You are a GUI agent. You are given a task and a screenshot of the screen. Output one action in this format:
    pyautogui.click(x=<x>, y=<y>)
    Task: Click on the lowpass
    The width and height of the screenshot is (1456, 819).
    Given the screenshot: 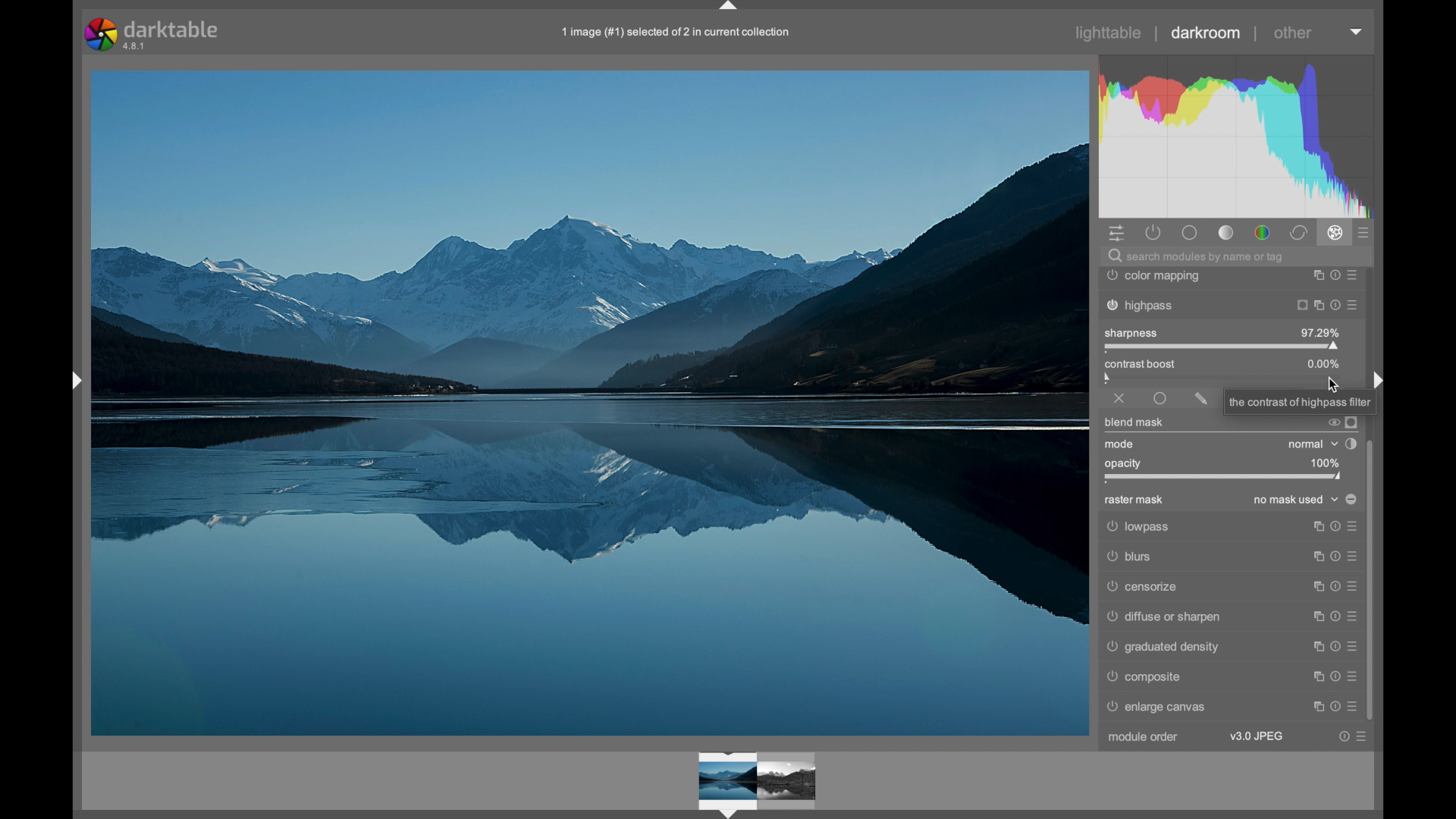 What is the action you would take?
    pyautogui.click(x=1229, y=528)
    